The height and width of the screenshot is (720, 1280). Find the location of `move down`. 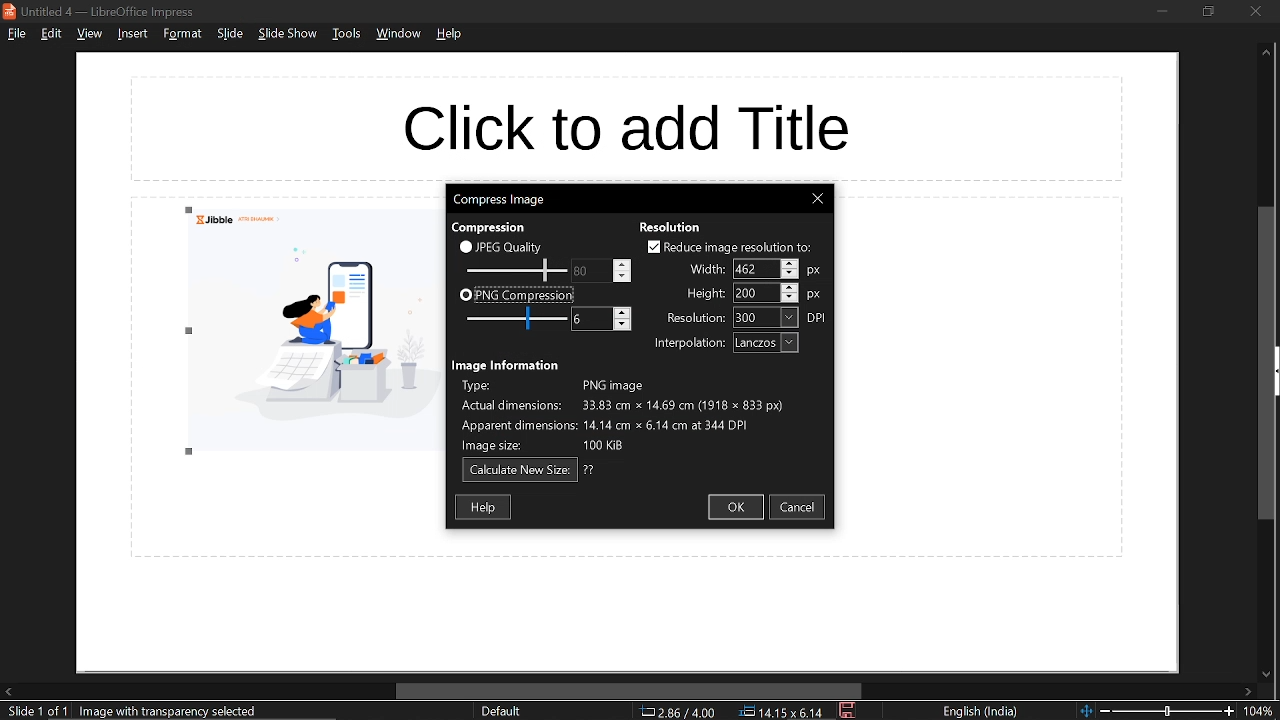

move down is located at coordinates (1264, 675).